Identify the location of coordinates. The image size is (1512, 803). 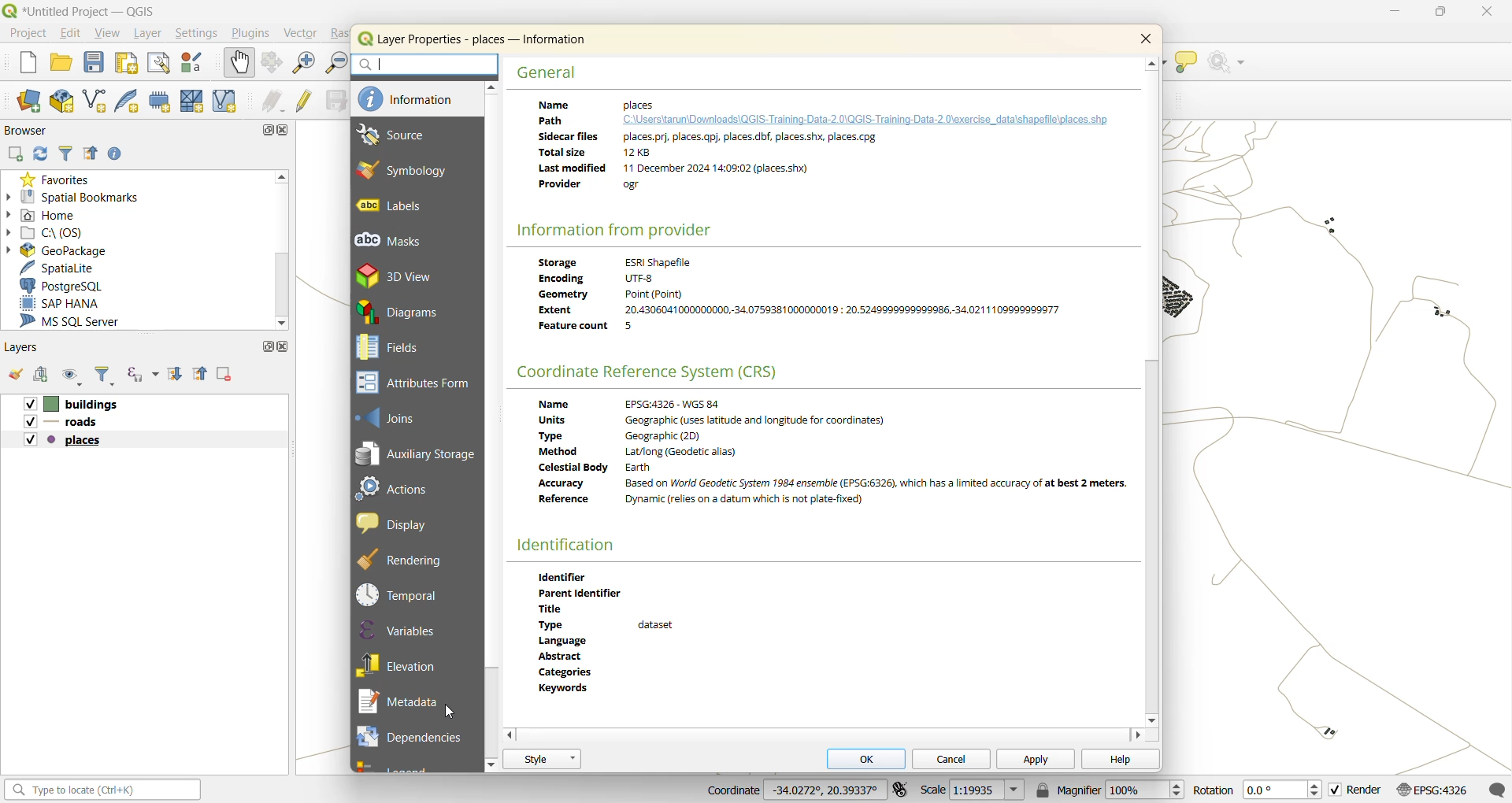
(791, 790).